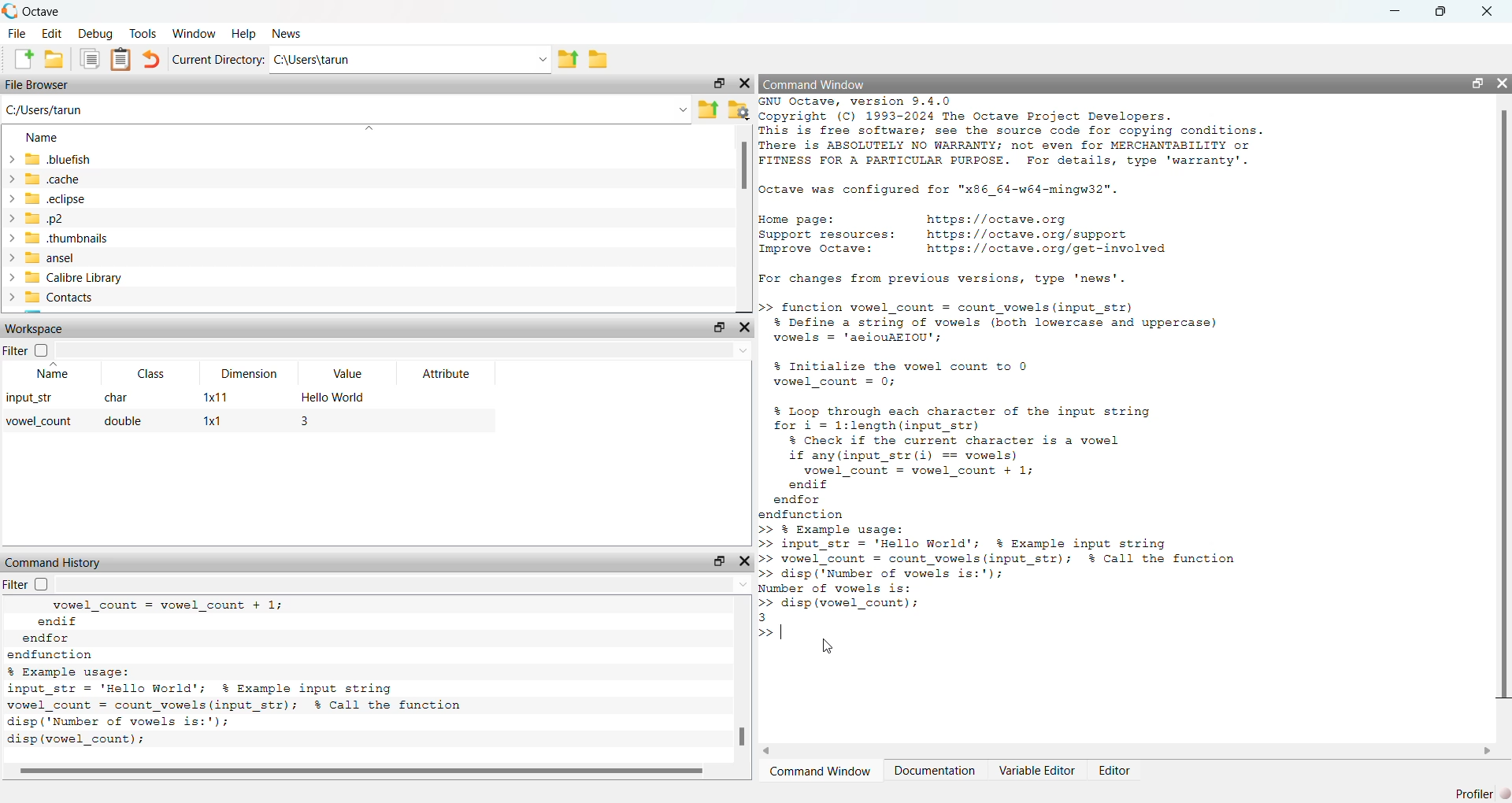 This screenshot has width=1512, height=803. What do you see at coordinates (708, 110) in the screenshot?
I see `One directory up` at bounding box center [708, 110].